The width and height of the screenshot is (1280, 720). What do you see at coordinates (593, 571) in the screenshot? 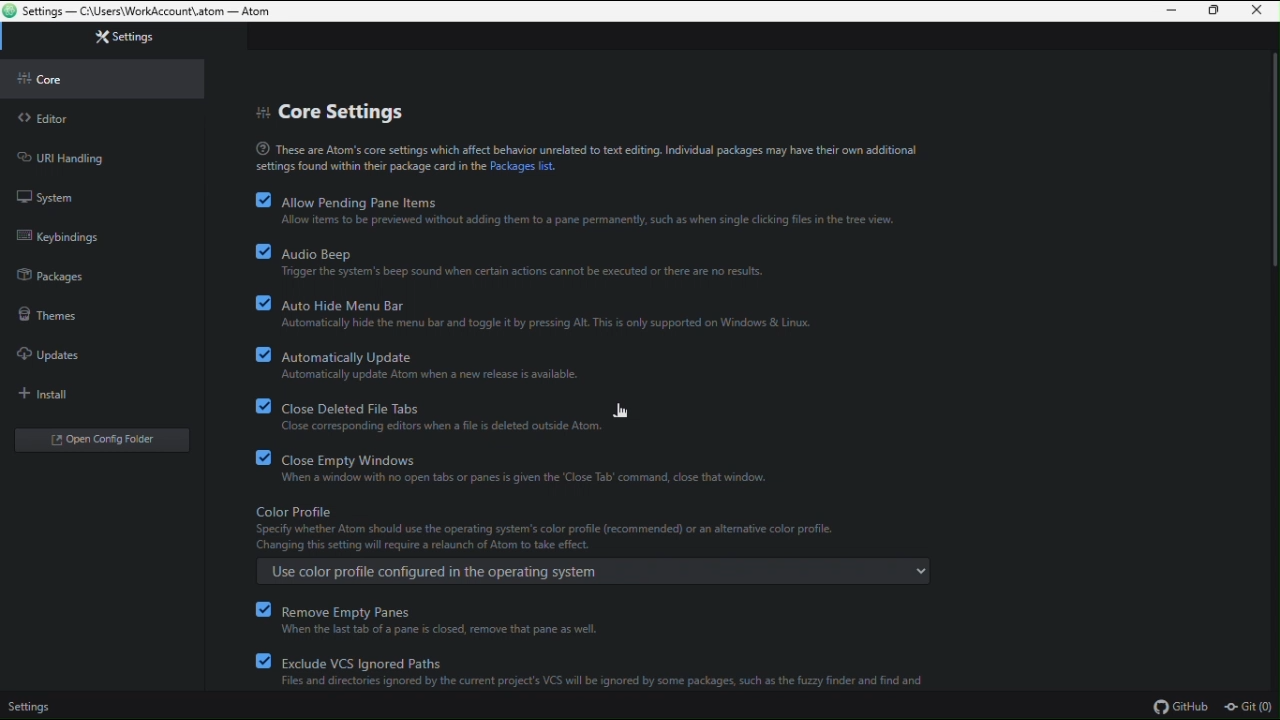
I see `use color profile` at bounding box center [593, 571].